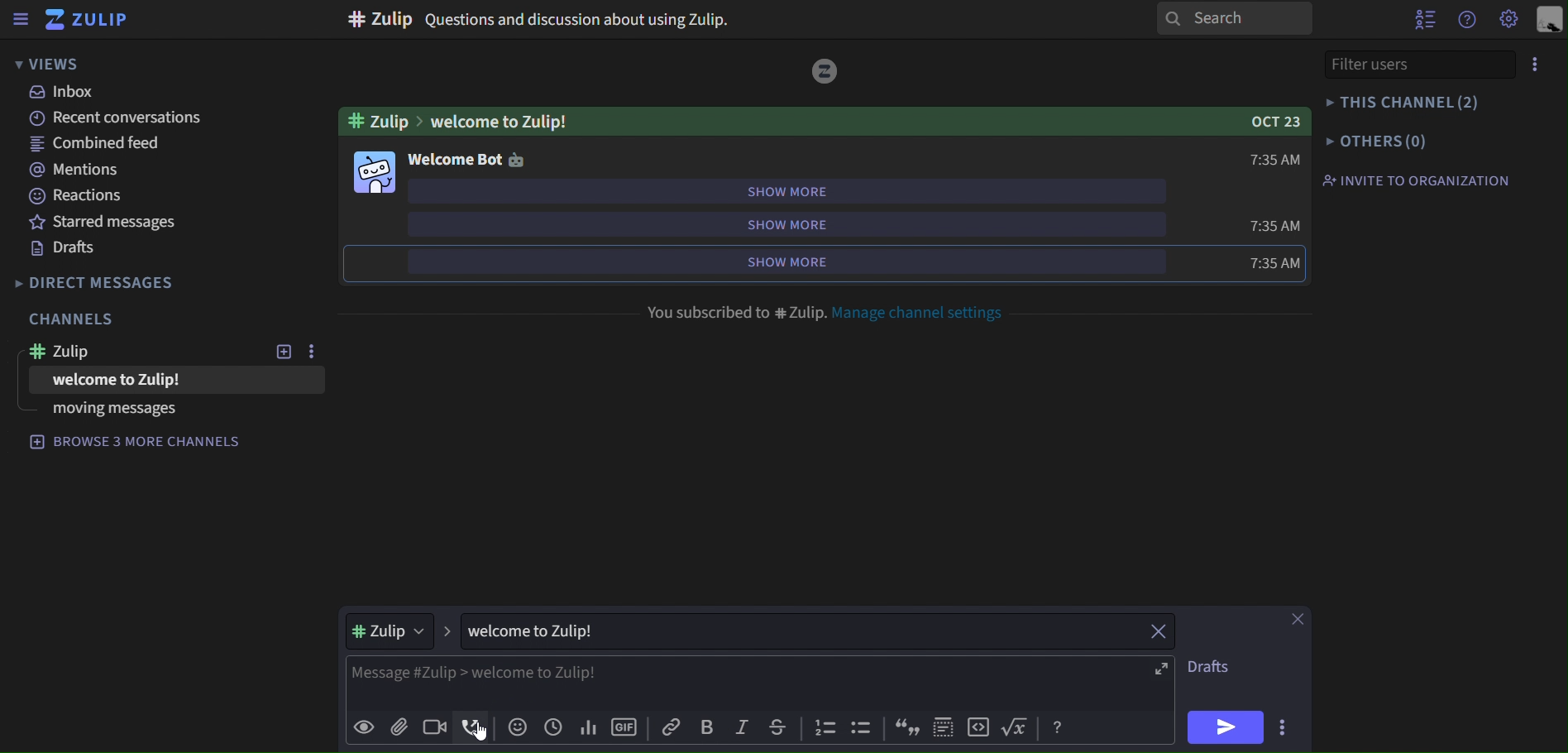 This screenshot has height=753, width=1568. Describe the element at coordinates (735, 309) in the screenshot. I see `you subscribed to zulip` at that location.